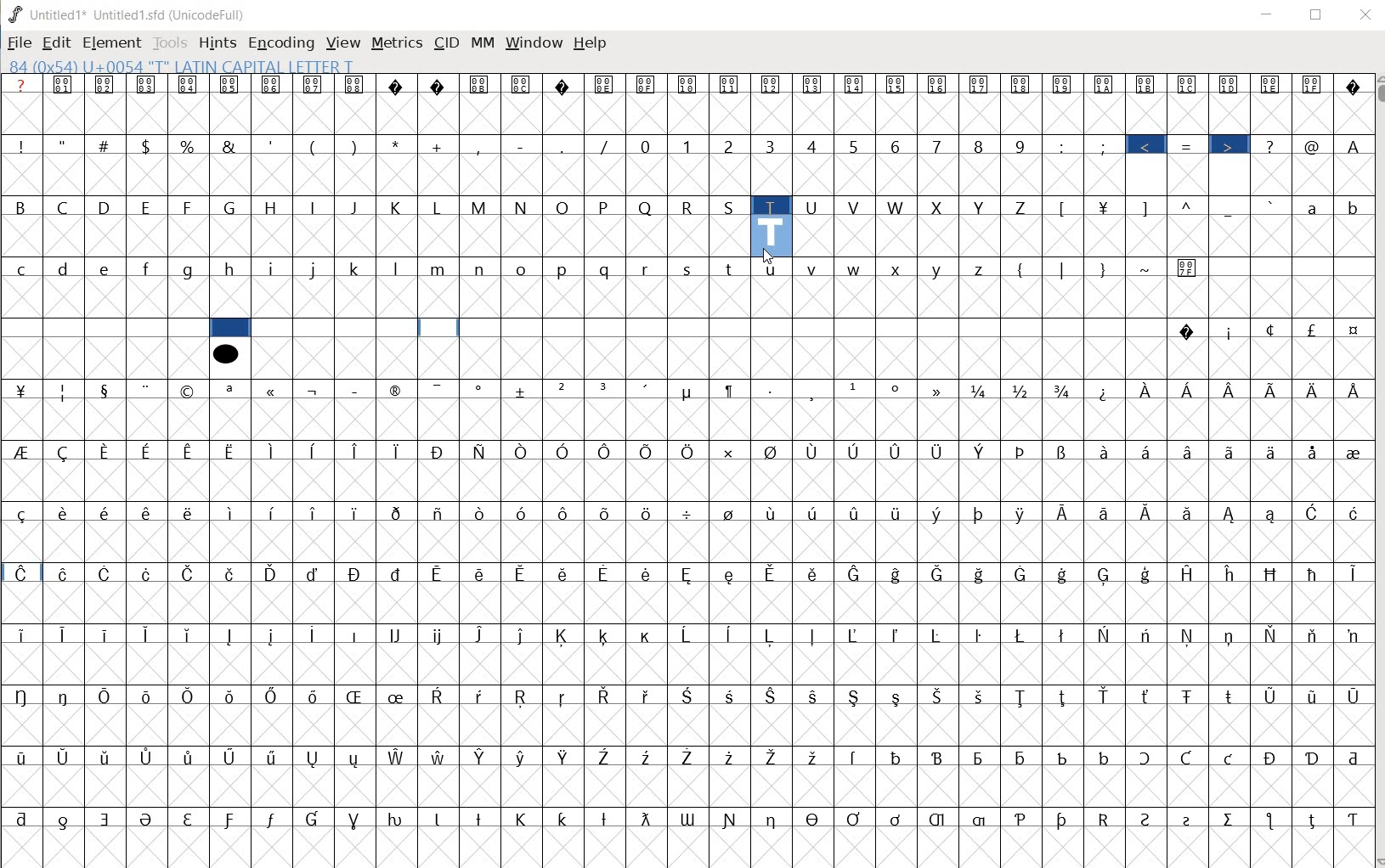 The height and width of the screenshot is (868, 1385). I want to click on Symbol, so click(854, 572).